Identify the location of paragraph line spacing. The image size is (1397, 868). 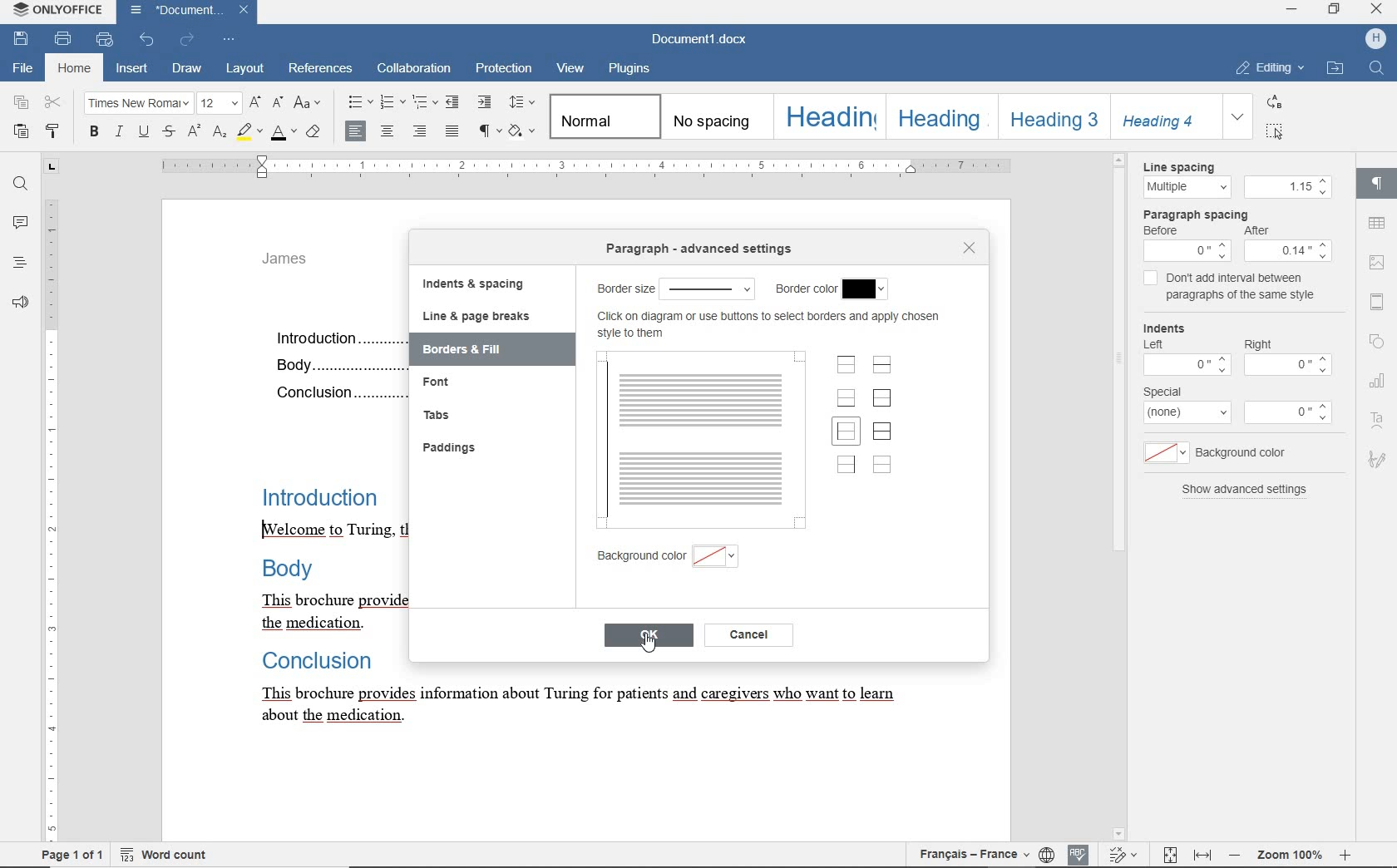
(522, 102).